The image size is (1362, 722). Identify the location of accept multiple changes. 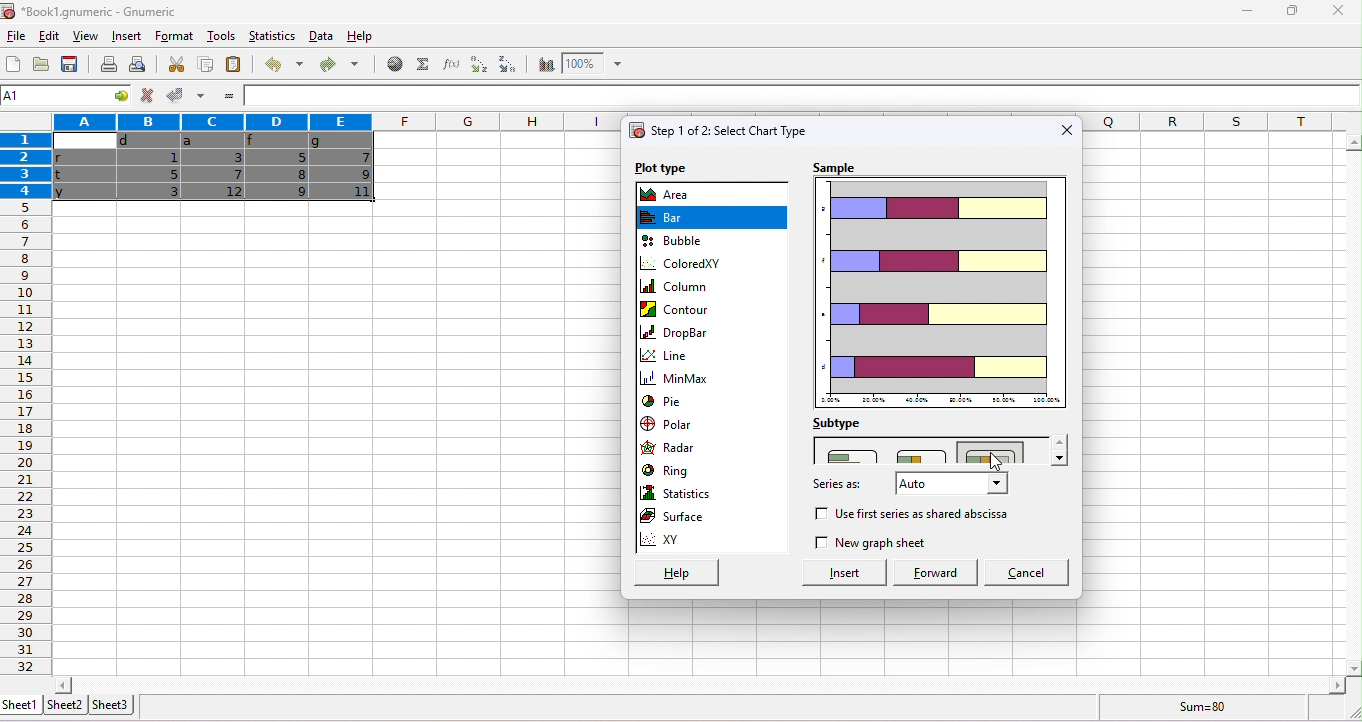
(202, 95).